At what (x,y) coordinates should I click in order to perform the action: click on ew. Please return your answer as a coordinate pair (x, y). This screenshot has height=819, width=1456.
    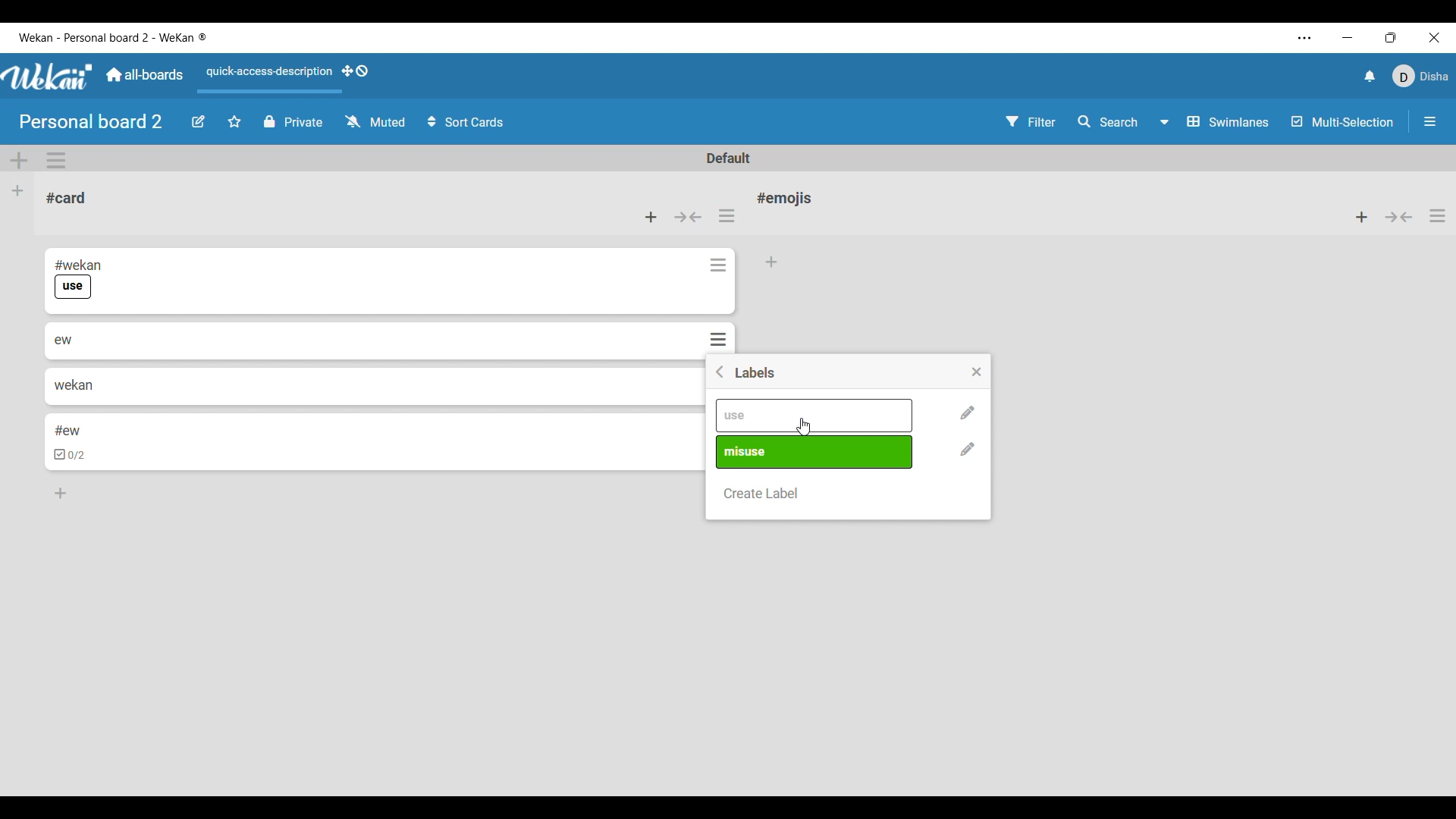
    Looking at the image, I should click on (64, 339).